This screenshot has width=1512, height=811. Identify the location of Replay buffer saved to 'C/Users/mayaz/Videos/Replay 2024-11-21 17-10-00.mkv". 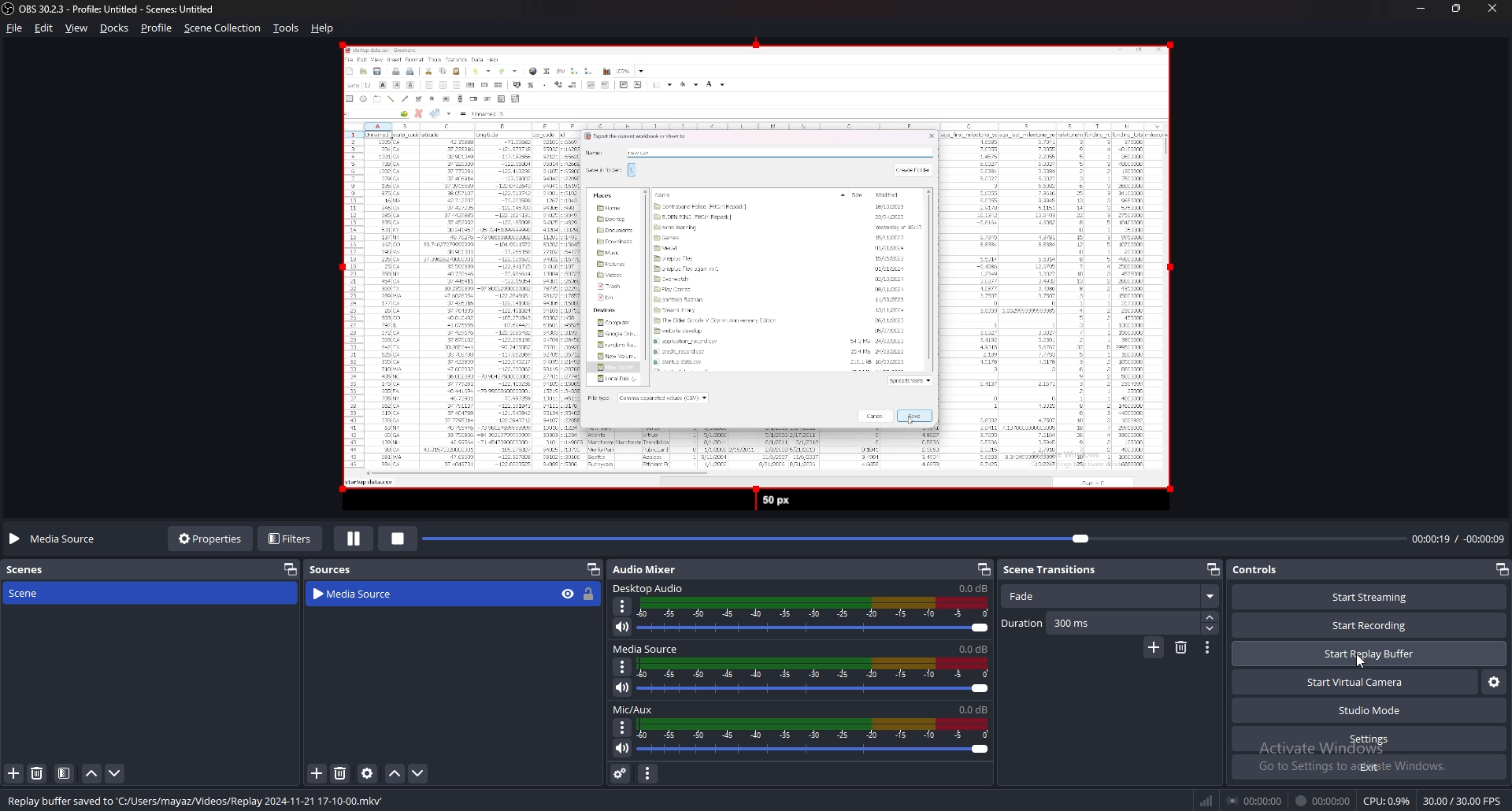
(203, 800).